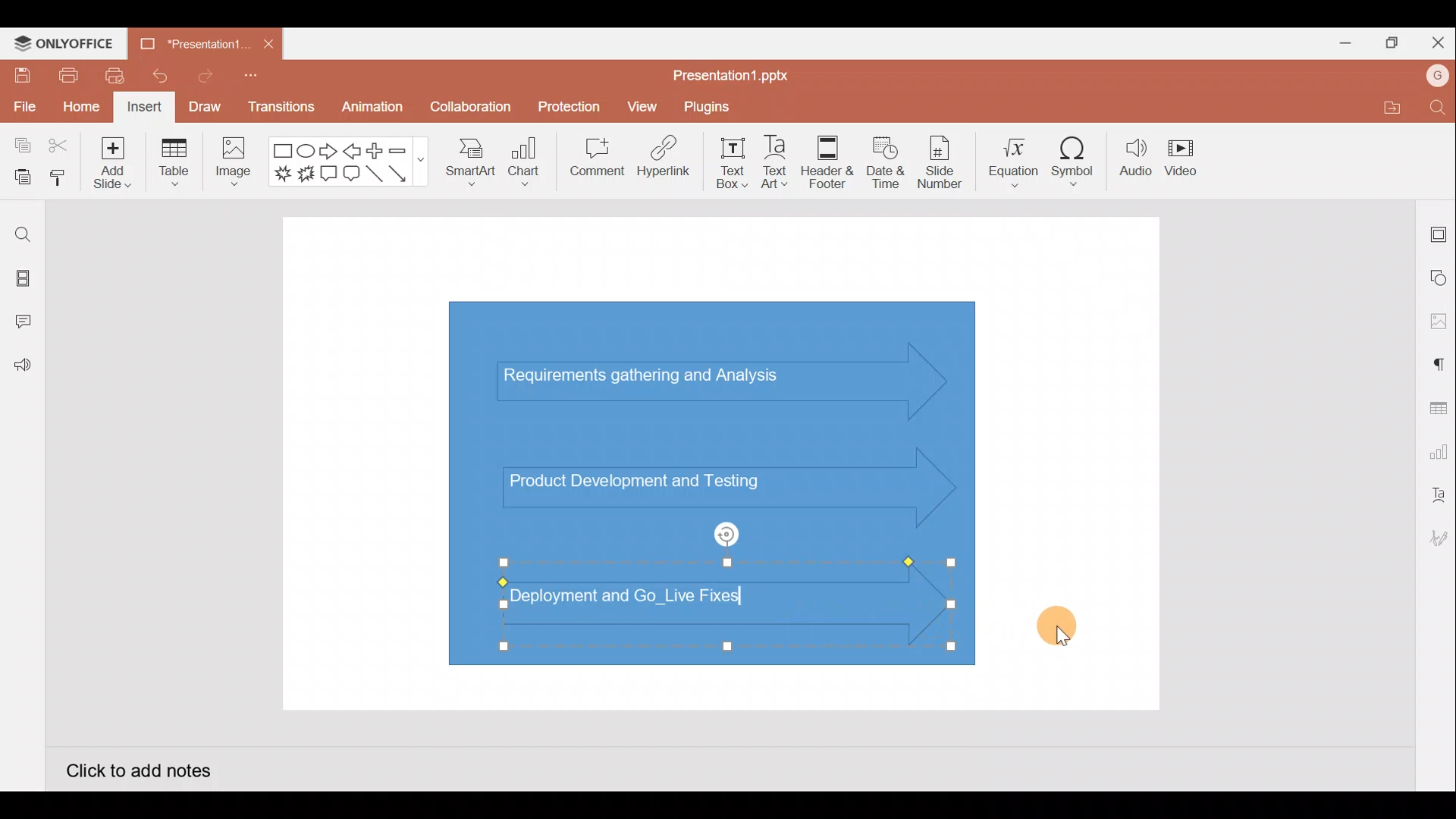 This screenshot has width=1456, height=819. Describe the element at coordinates (67, 74) in the screenshot. I see `Print file` at that location.